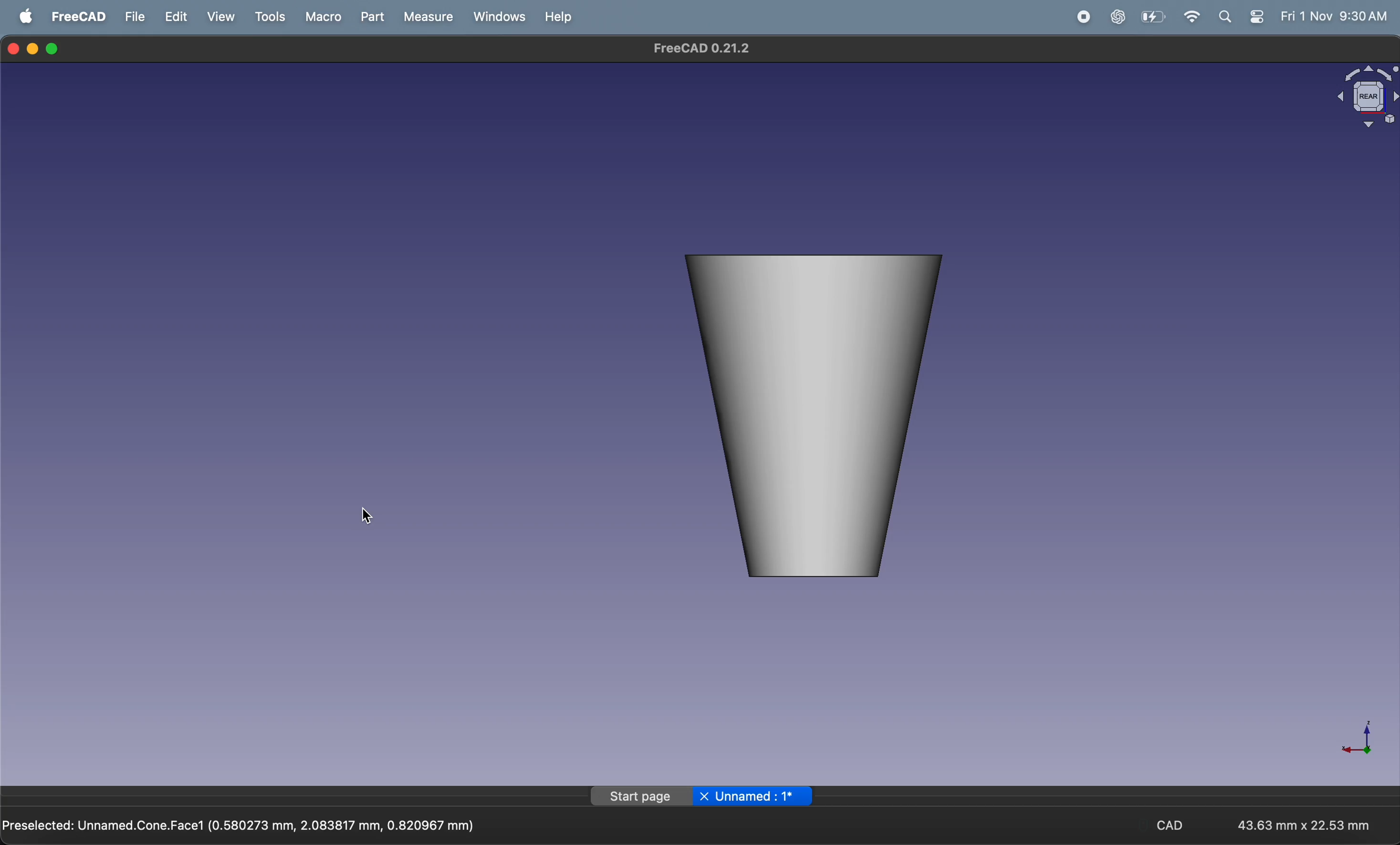 Image resolution: width=1400 pixels, height=845 pixels. What do you see at coordinates (1304, 823) in the screenshot?
I see `43.63 mm x 22.53 mm` at bounding box center [1304, 823].